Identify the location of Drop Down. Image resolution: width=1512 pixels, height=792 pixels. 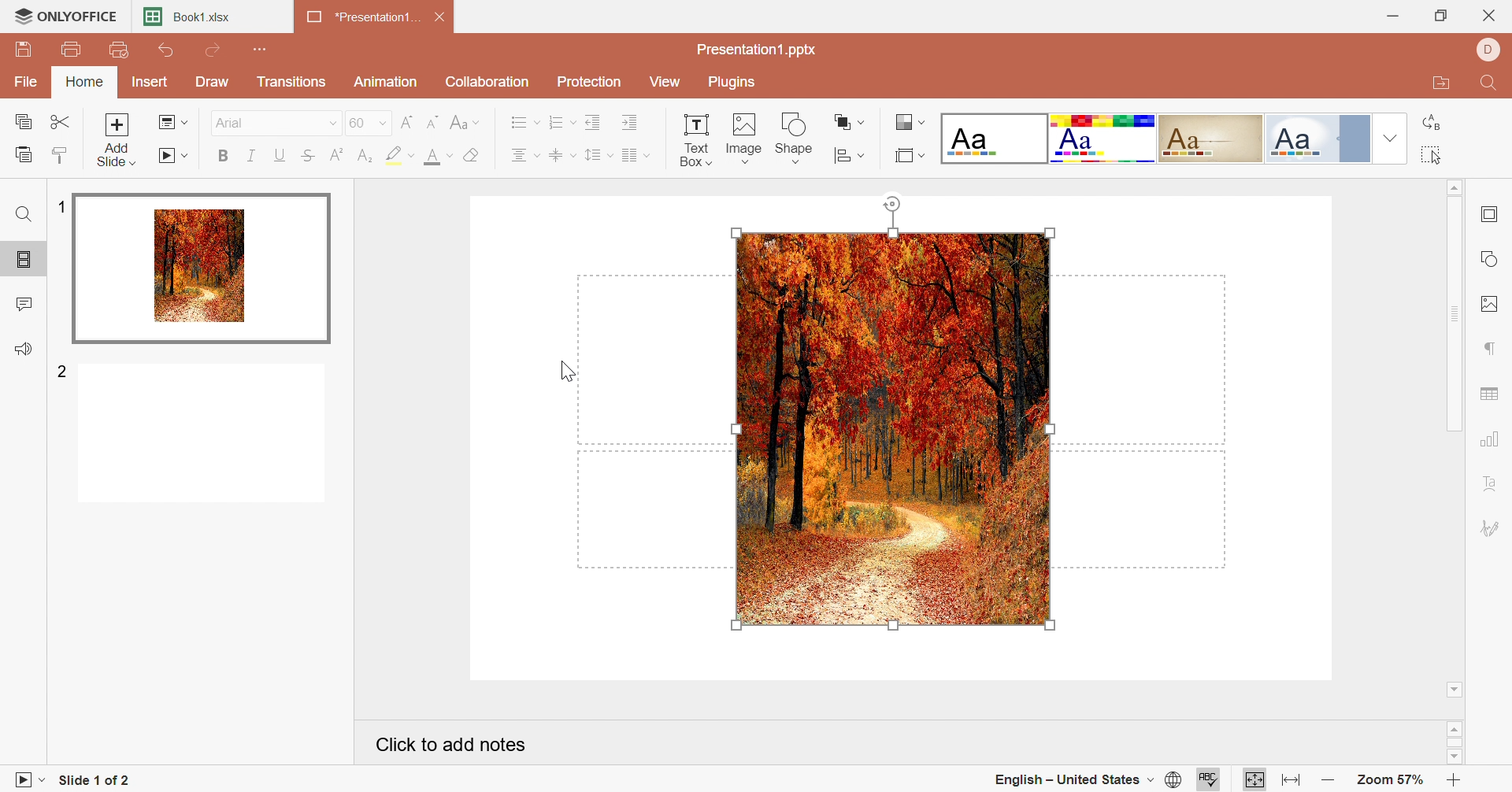
(1387, 138).